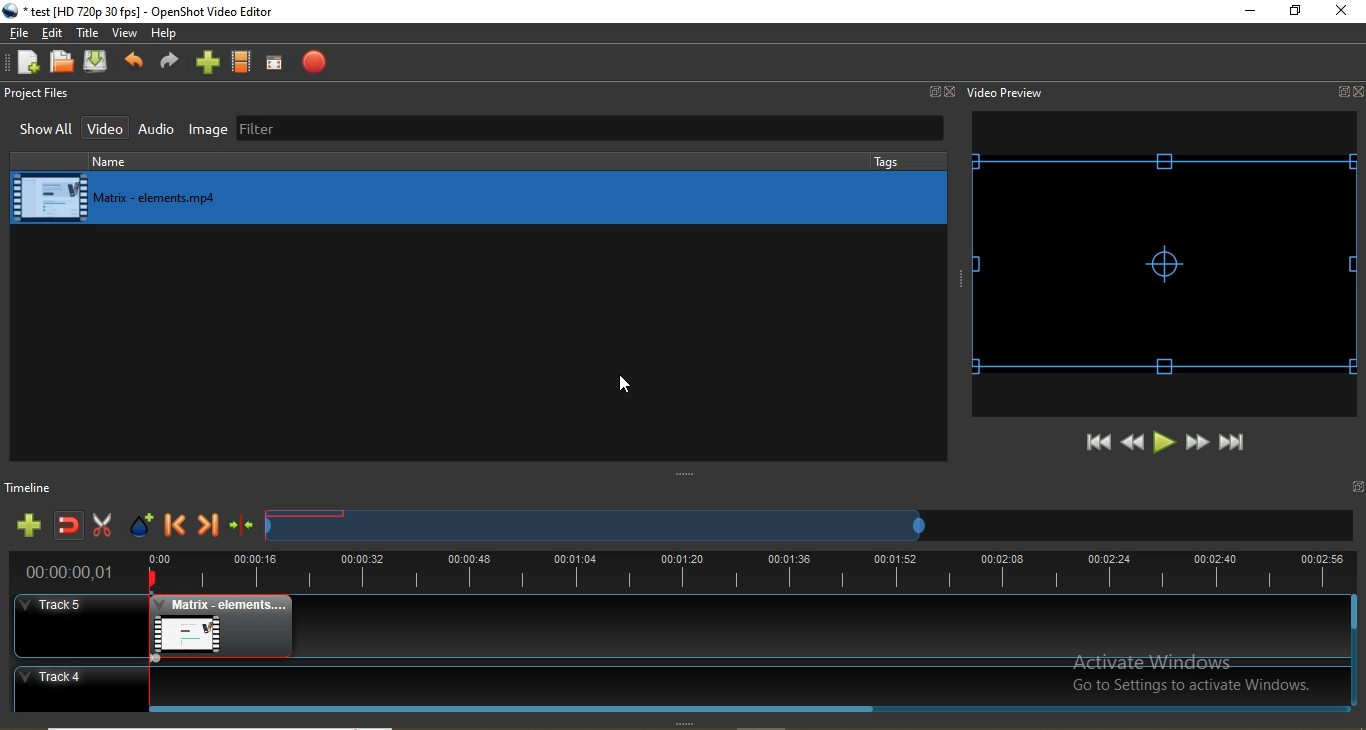 The height and width of the screenshot is (730, 1366). I want to click on Rewind , so click(1133, 441).